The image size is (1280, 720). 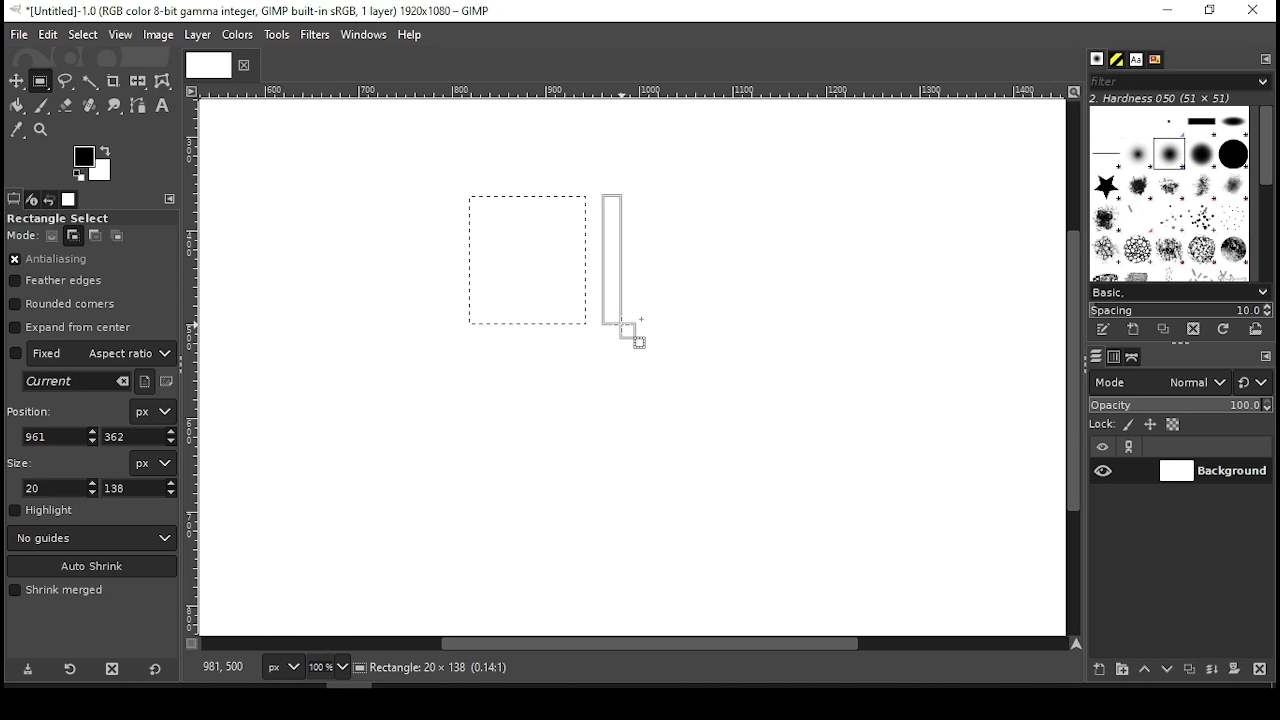 I want to click on refresh brushes, so click(x=1222, y=331).